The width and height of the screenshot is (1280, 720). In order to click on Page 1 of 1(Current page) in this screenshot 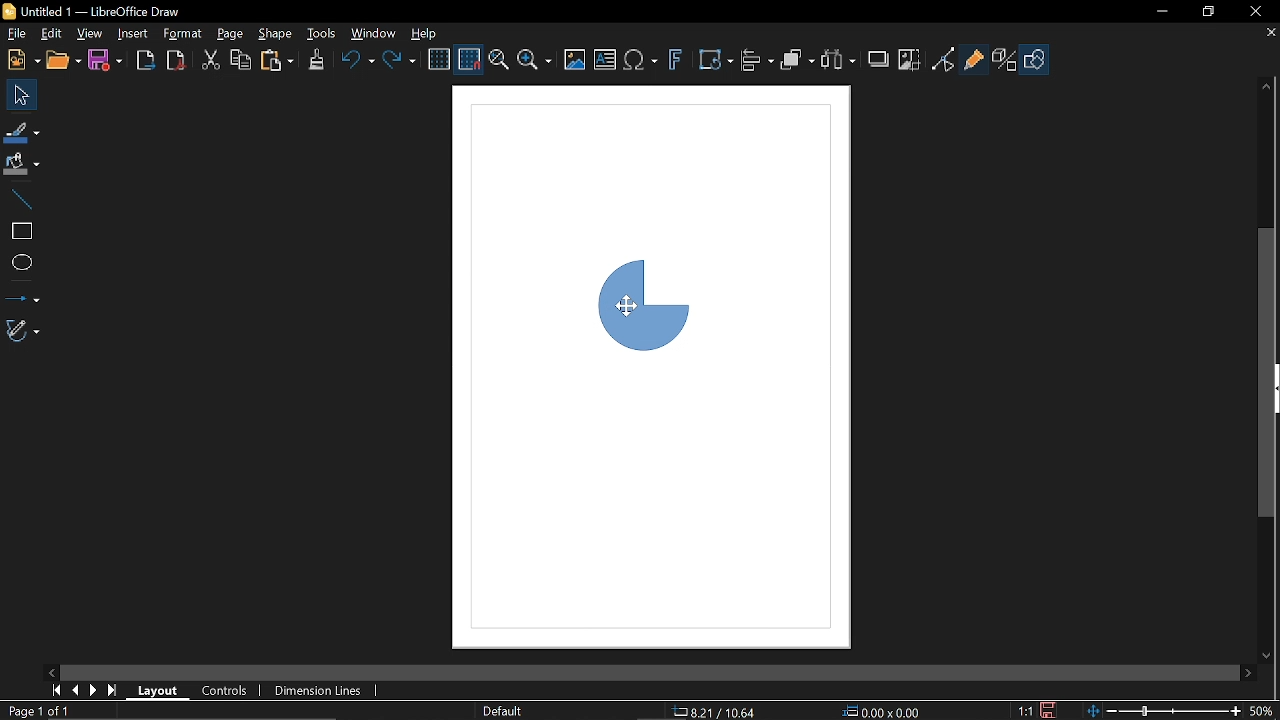, I will do `click(38, 710)`.